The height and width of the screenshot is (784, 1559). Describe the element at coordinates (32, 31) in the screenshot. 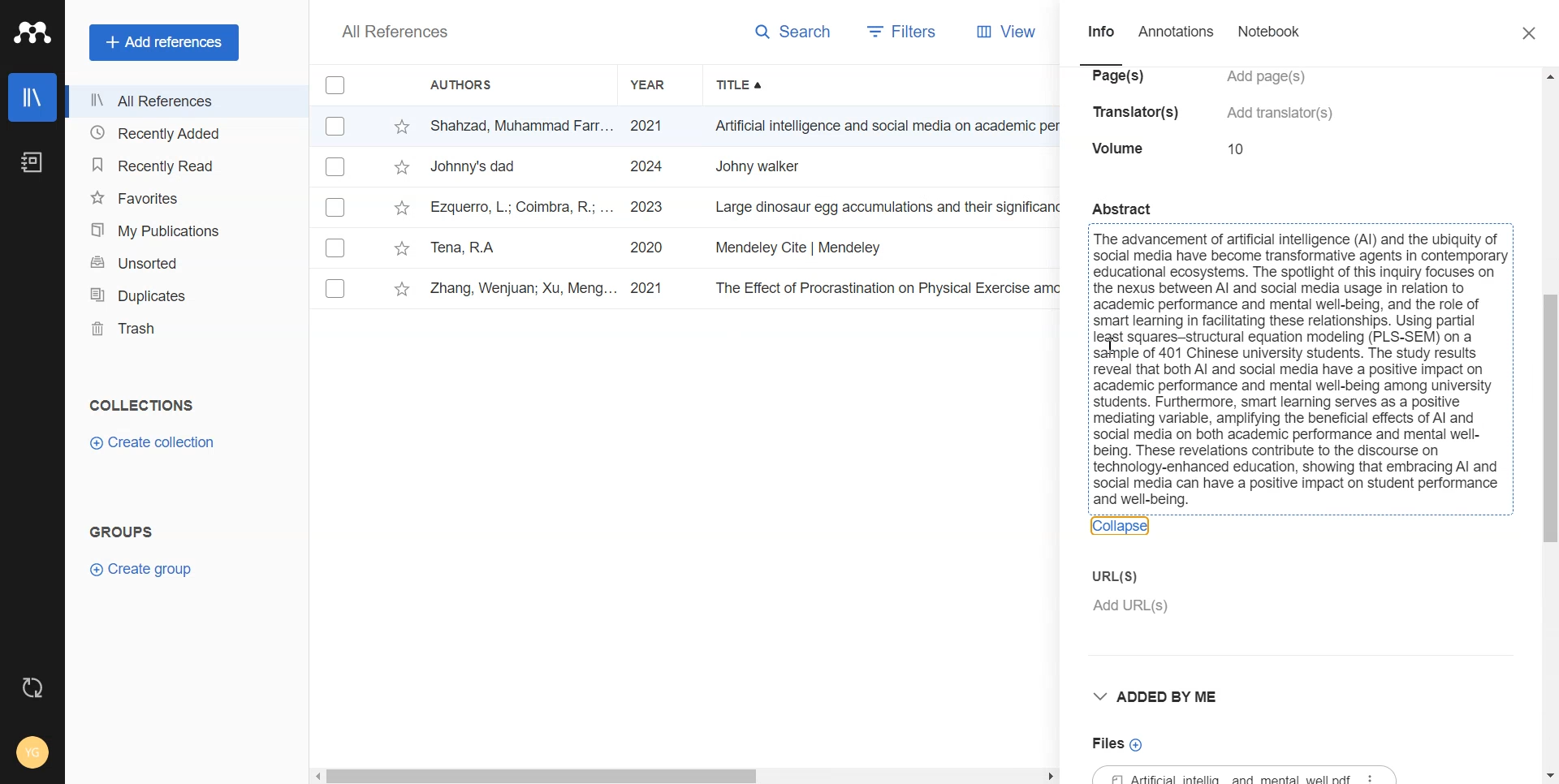

I see `Logo` at that location.